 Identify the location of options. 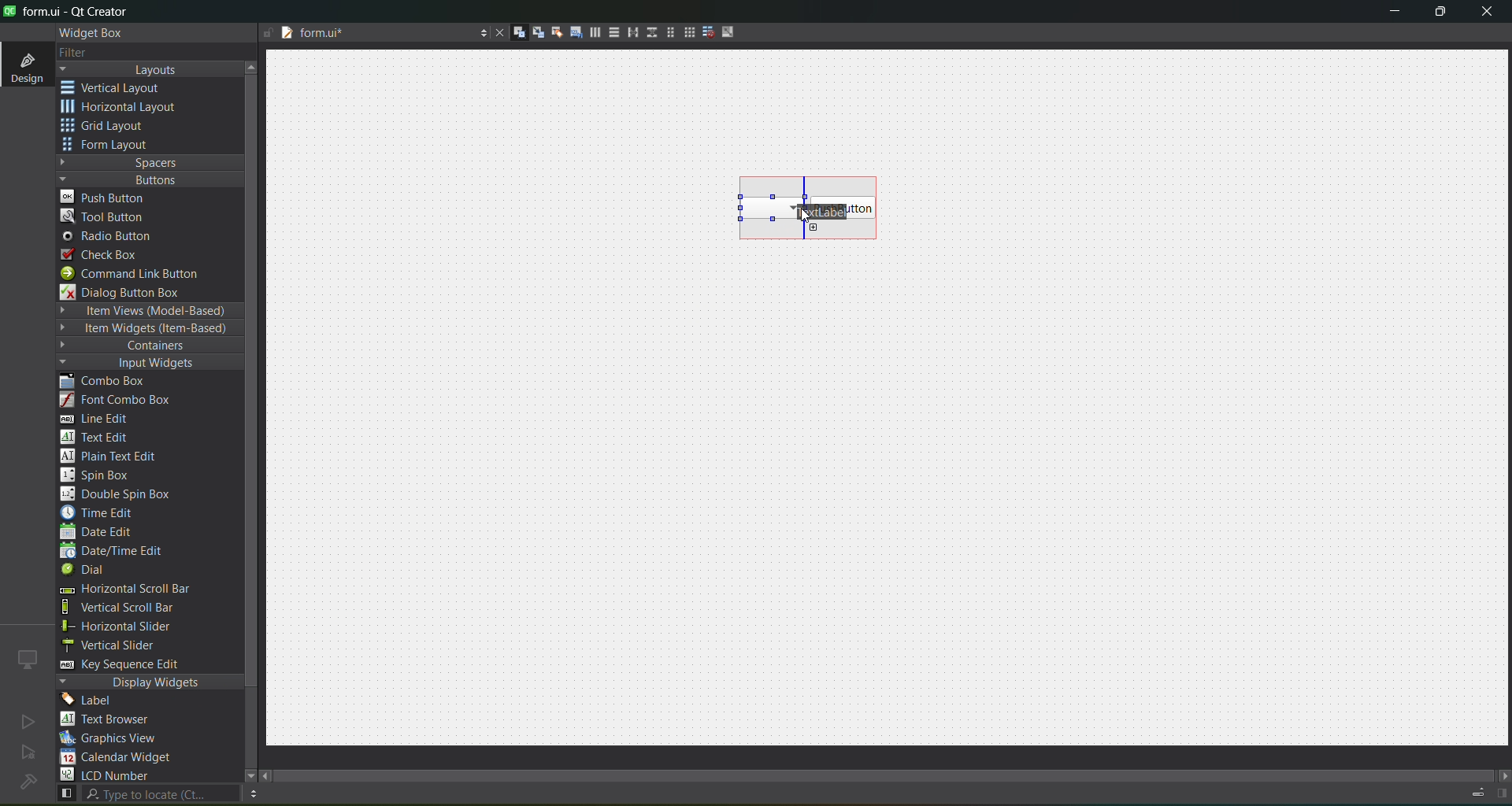
(479, 35).